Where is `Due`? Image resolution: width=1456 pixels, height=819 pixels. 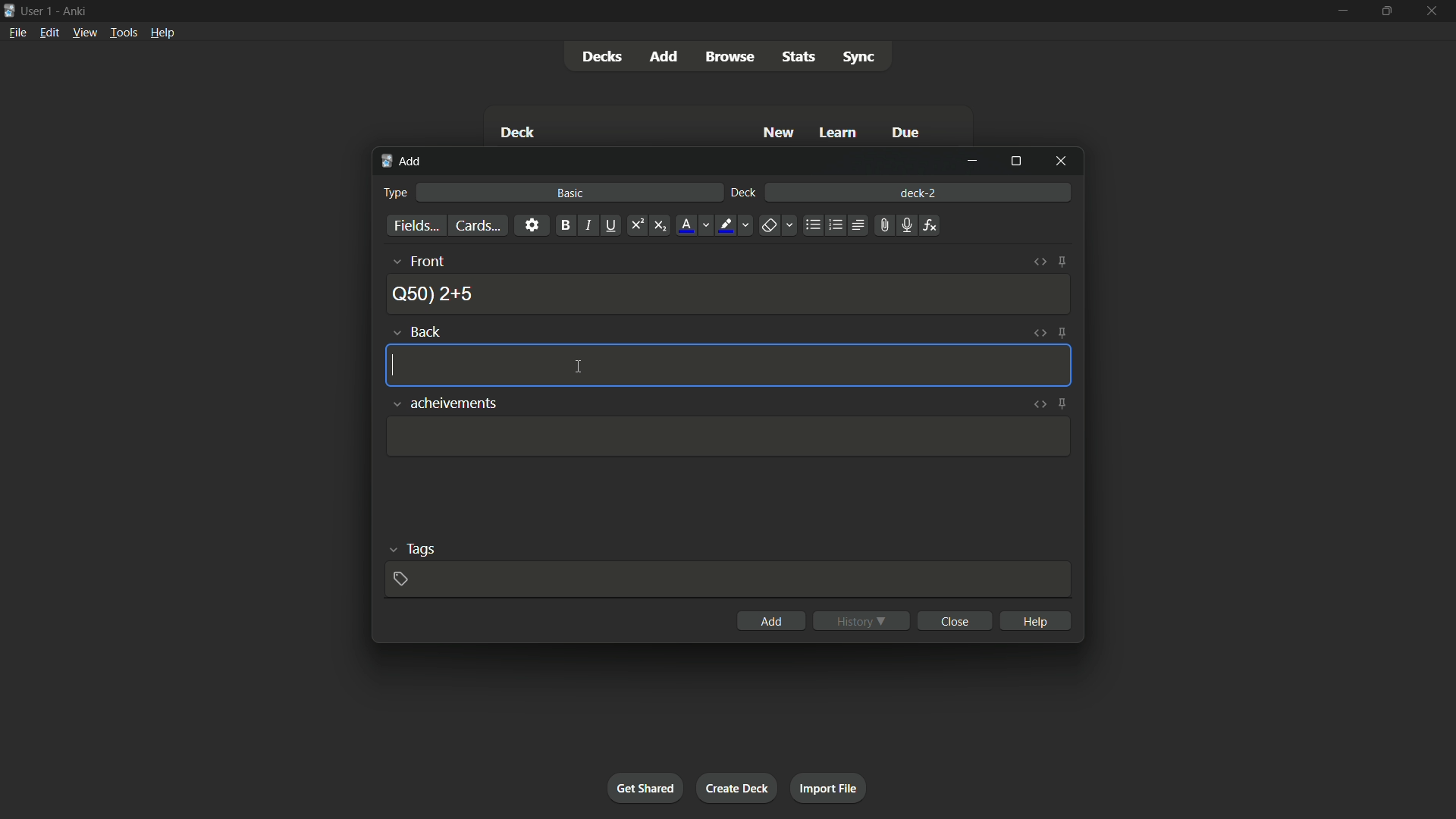 Due is located at coordinates (907, 132).